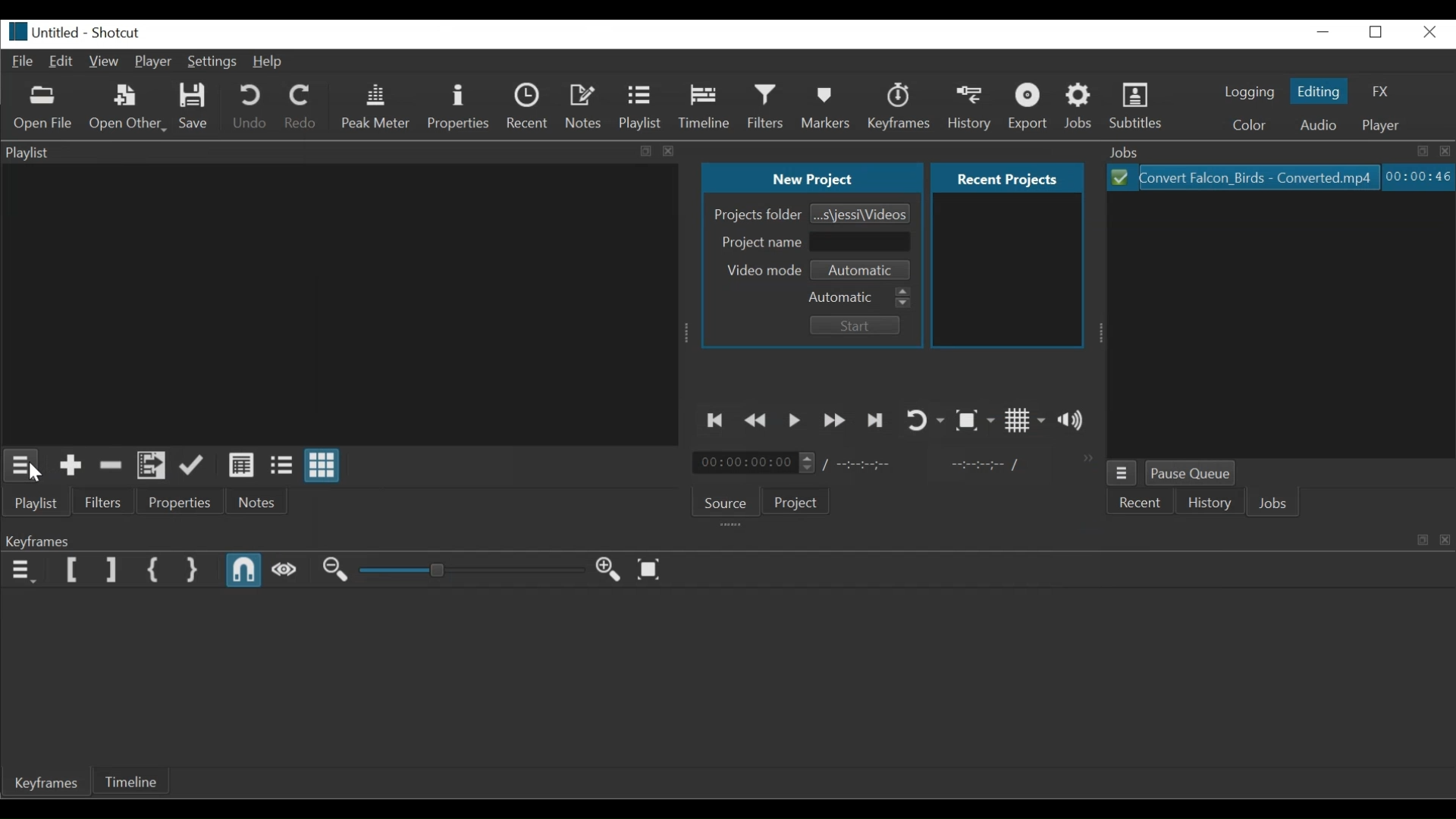  What do you see at coordinates (761, 271) in the screenshot?
I see `Video mode` at bounding box center [761, 271].